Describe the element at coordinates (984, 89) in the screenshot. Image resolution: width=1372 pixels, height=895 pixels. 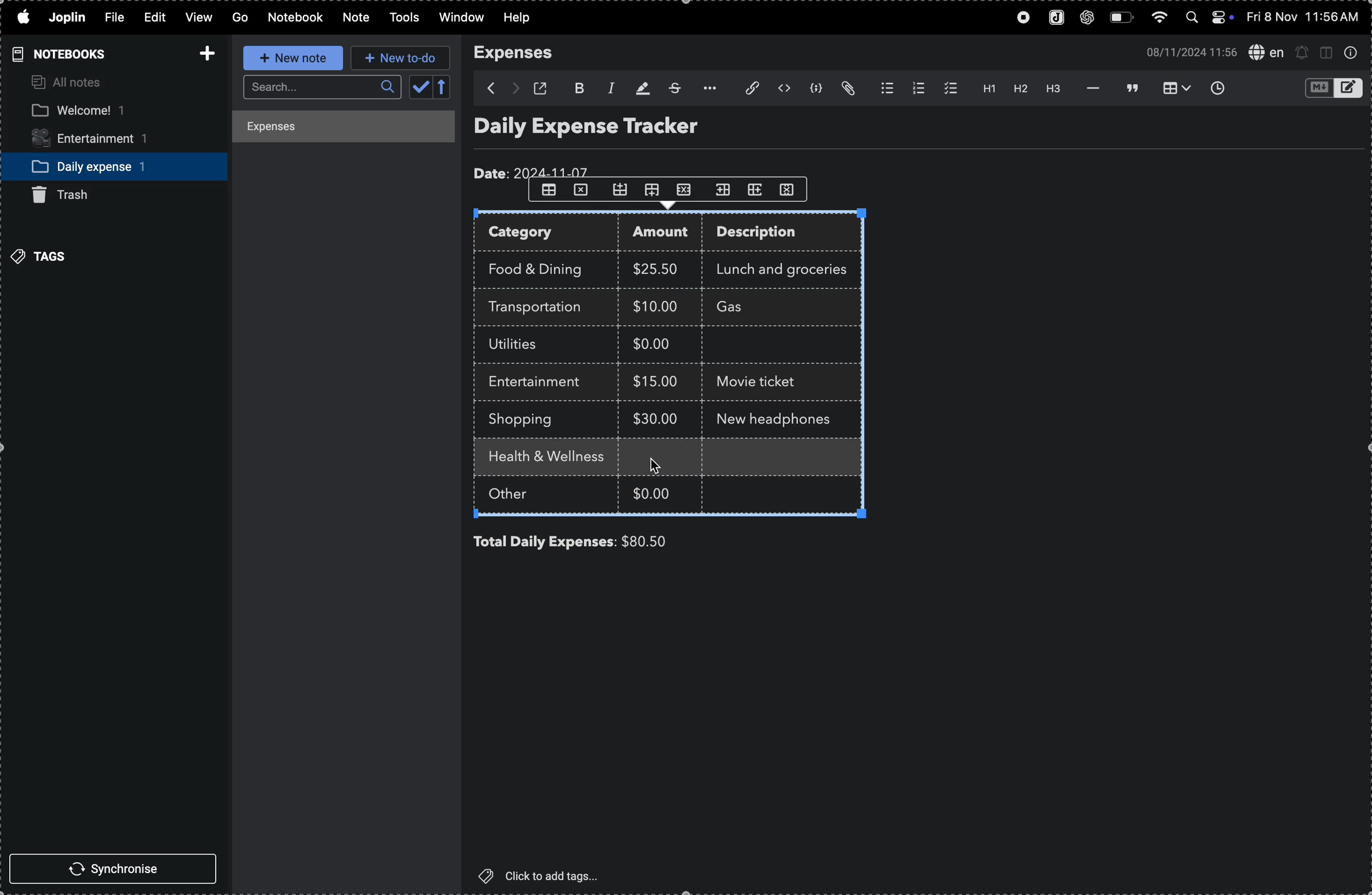
I see `heading 1` at that location.